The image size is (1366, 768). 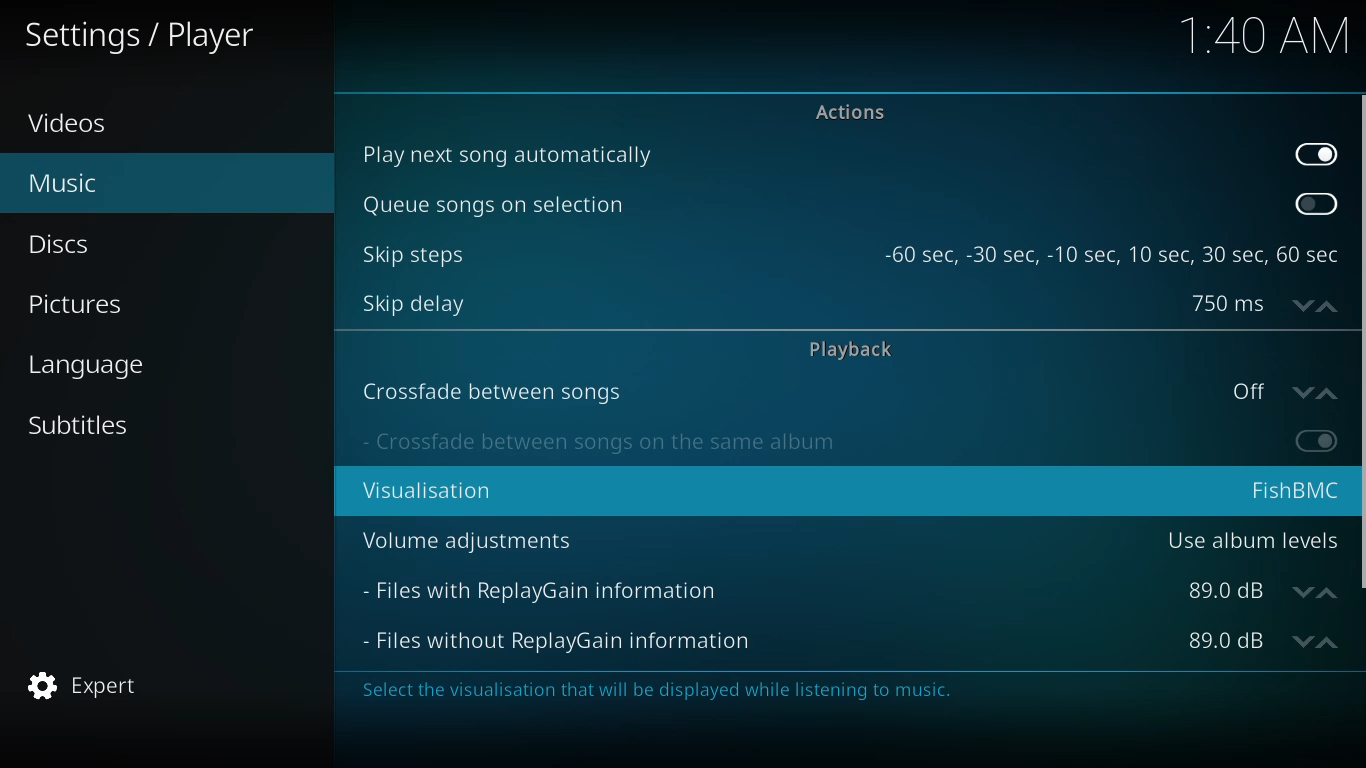 What do you see at coordinates (664, 359) in the screenshot?
I see `cursor` at bounding box center [664, 359].